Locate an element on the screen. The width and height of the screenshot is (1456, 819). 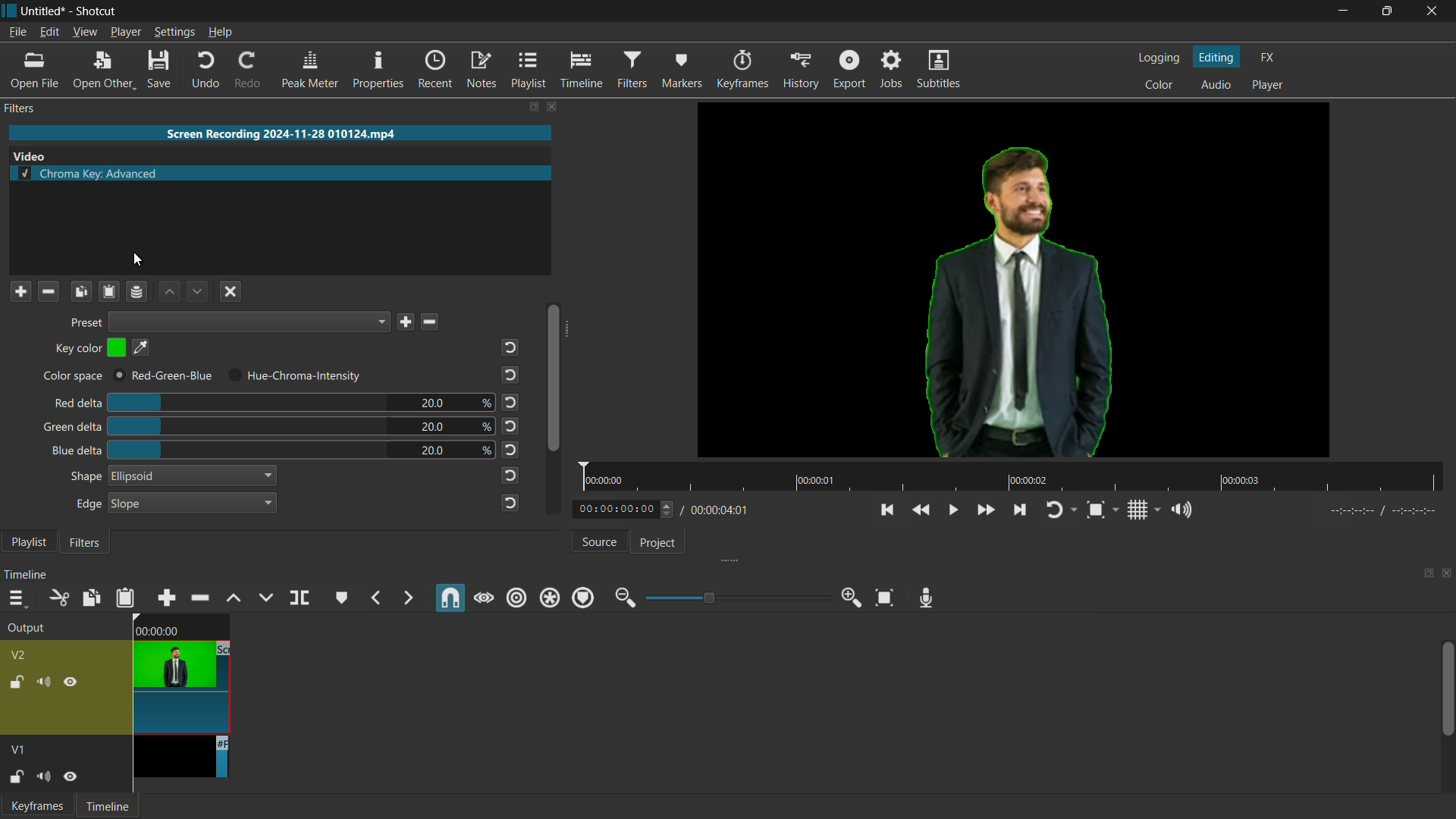
filters is located at coordinates (22, 111).